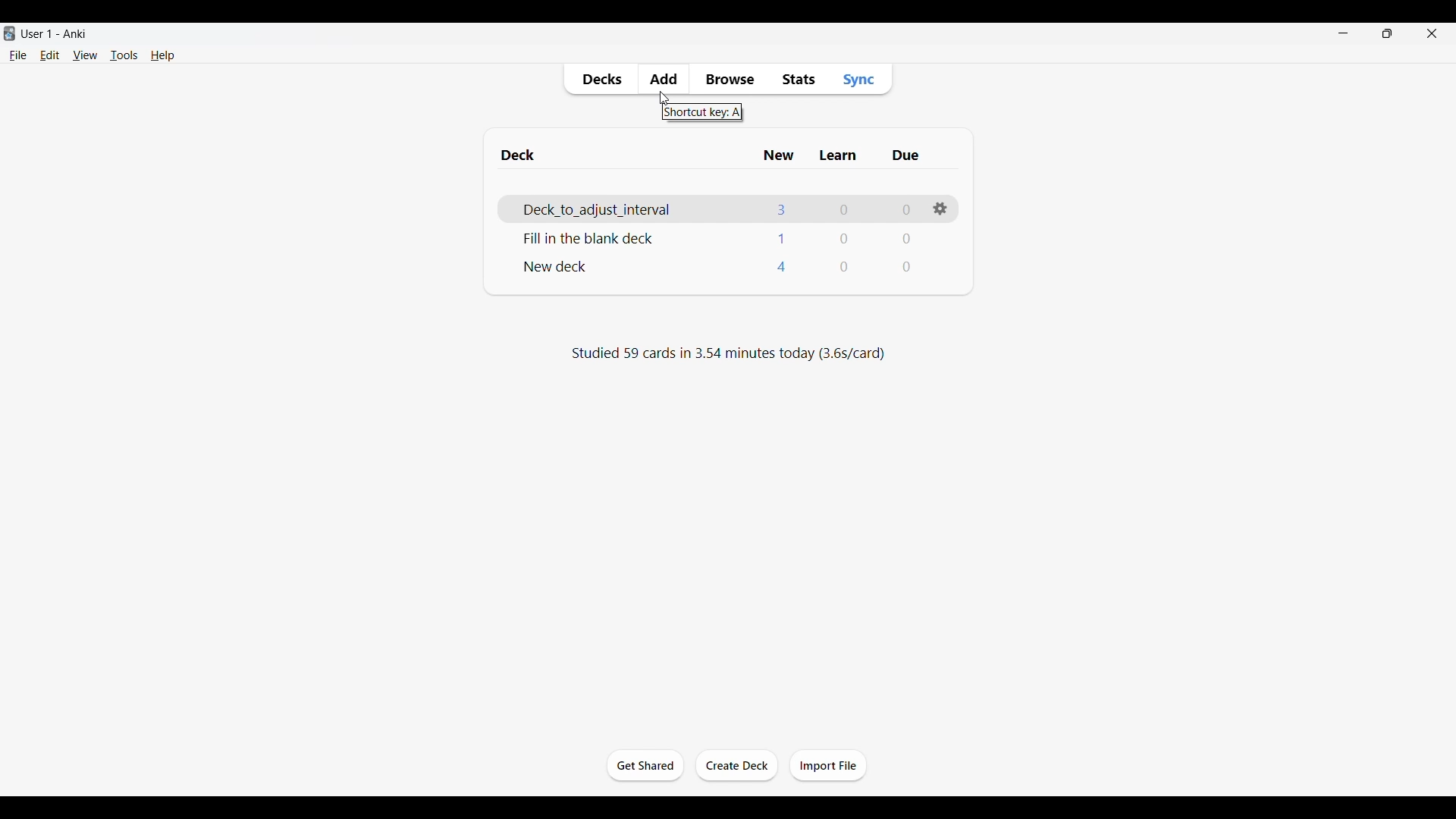 The height and width of the screenshot is (819, 1456). What do you see at coordinates (1432, 33) in the screenshot?
I see `Close interface` at bounding box center [1432, 33].